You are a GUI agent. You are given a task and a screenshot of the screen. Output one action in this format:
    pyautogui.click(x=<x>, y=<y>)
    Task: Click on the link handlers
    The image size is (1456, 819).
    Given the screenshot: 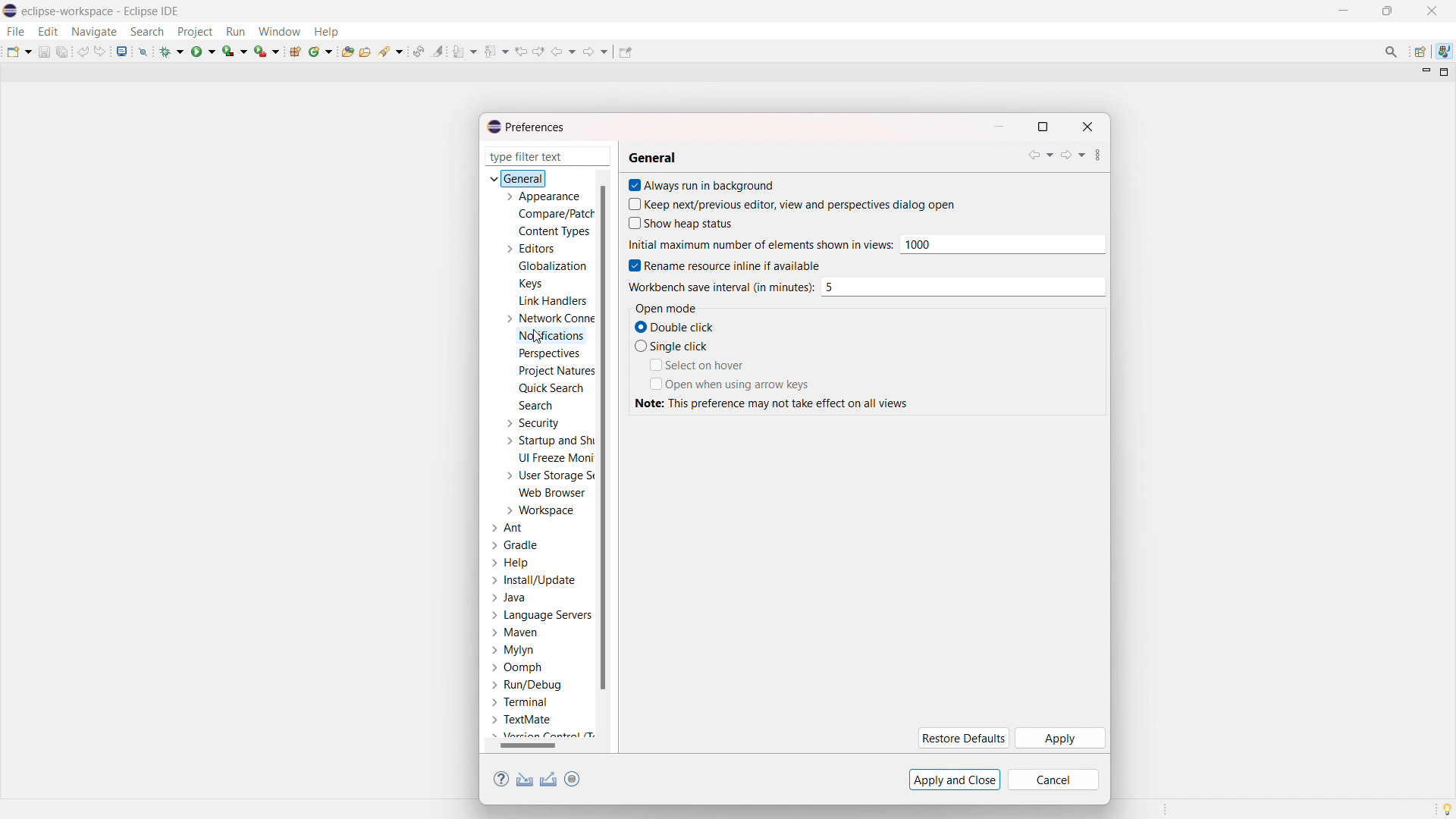 What is the action you would take?
    pyautogui.click(x=553, y=301)
    